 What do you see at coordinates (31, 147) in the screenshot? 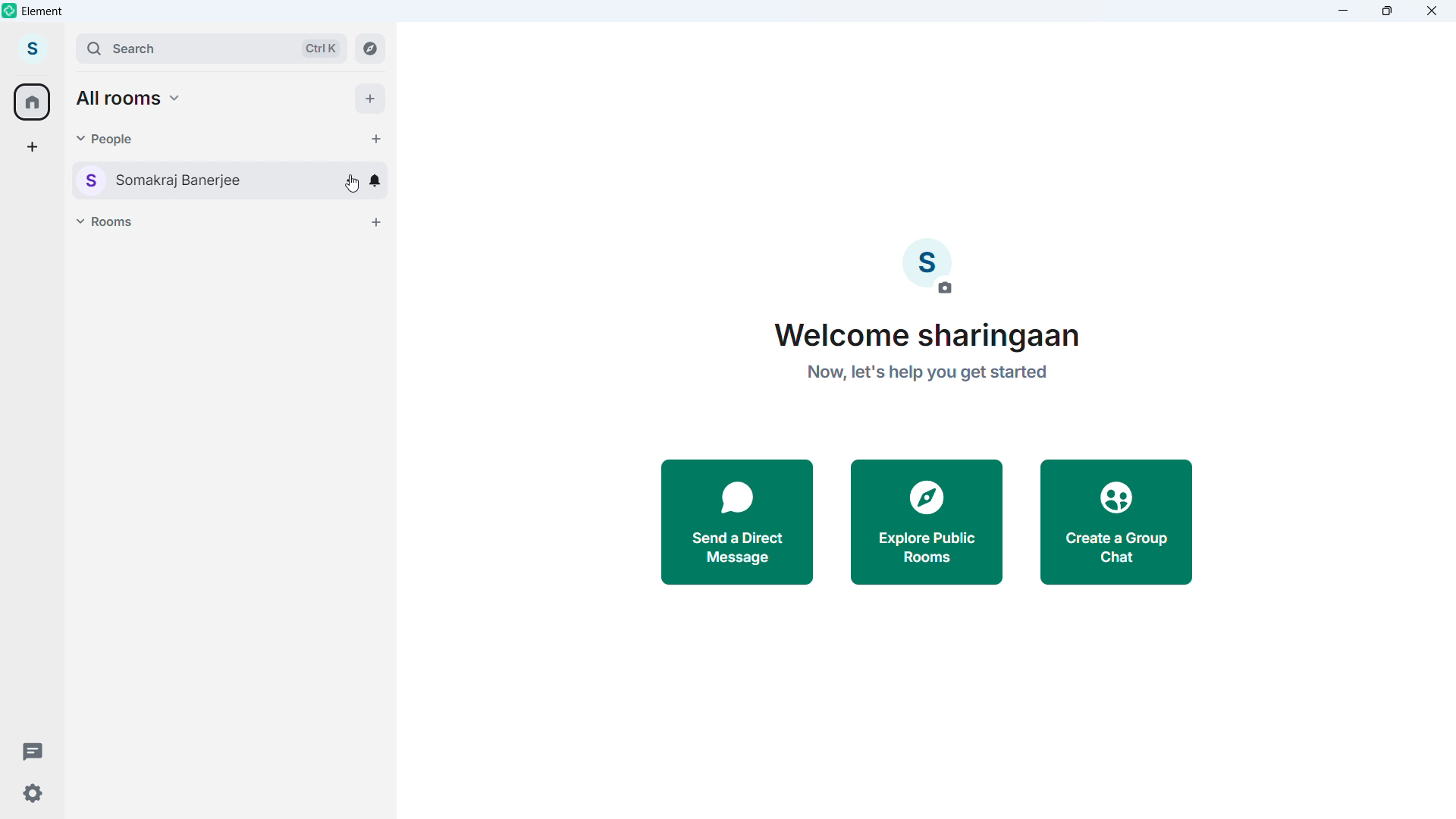
I see `Create a space ` at bounding box center [31, 147].